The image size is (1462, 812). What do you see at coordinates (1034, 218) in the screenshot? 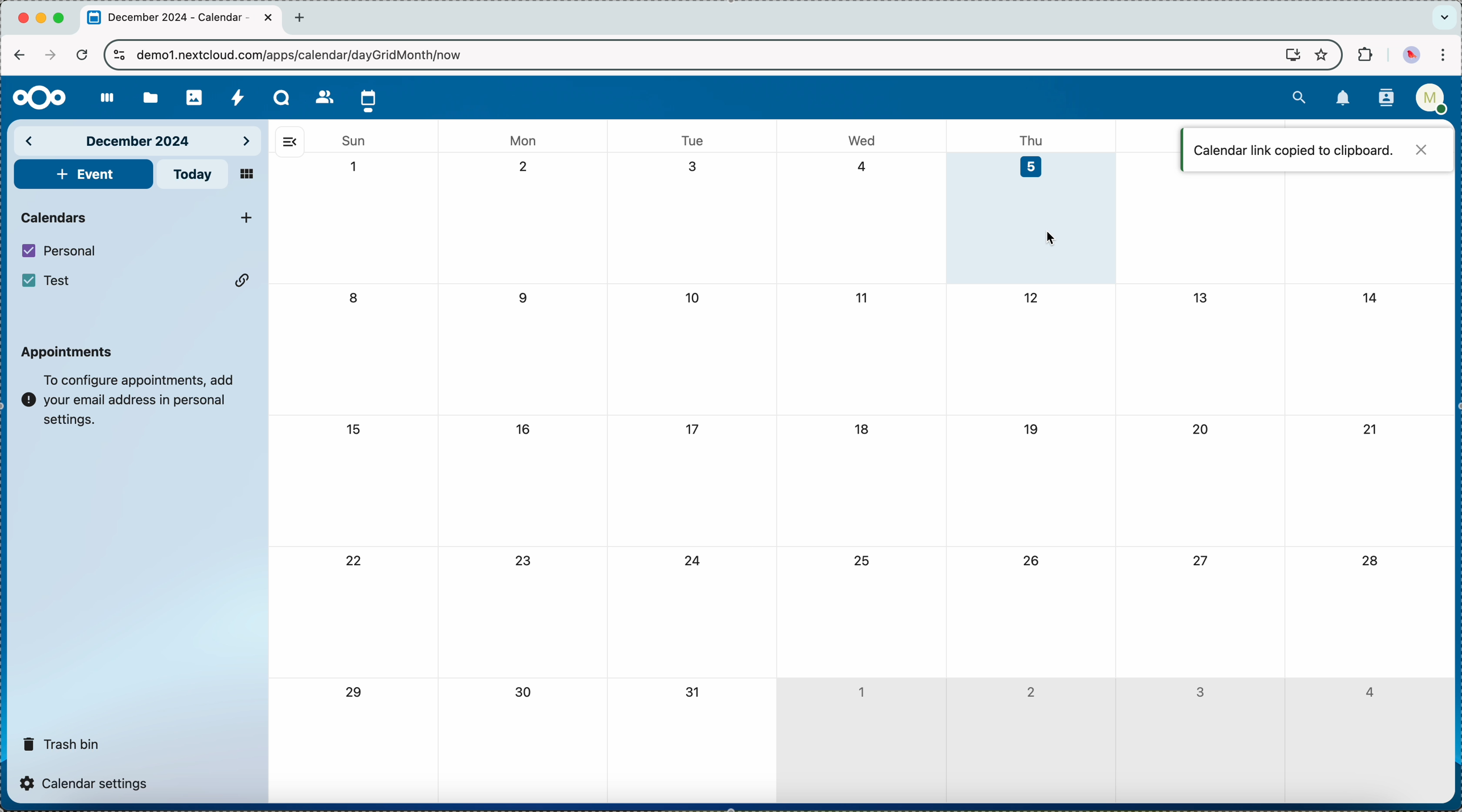
I see `day 5 selected` at bounding box center [1034, 218].